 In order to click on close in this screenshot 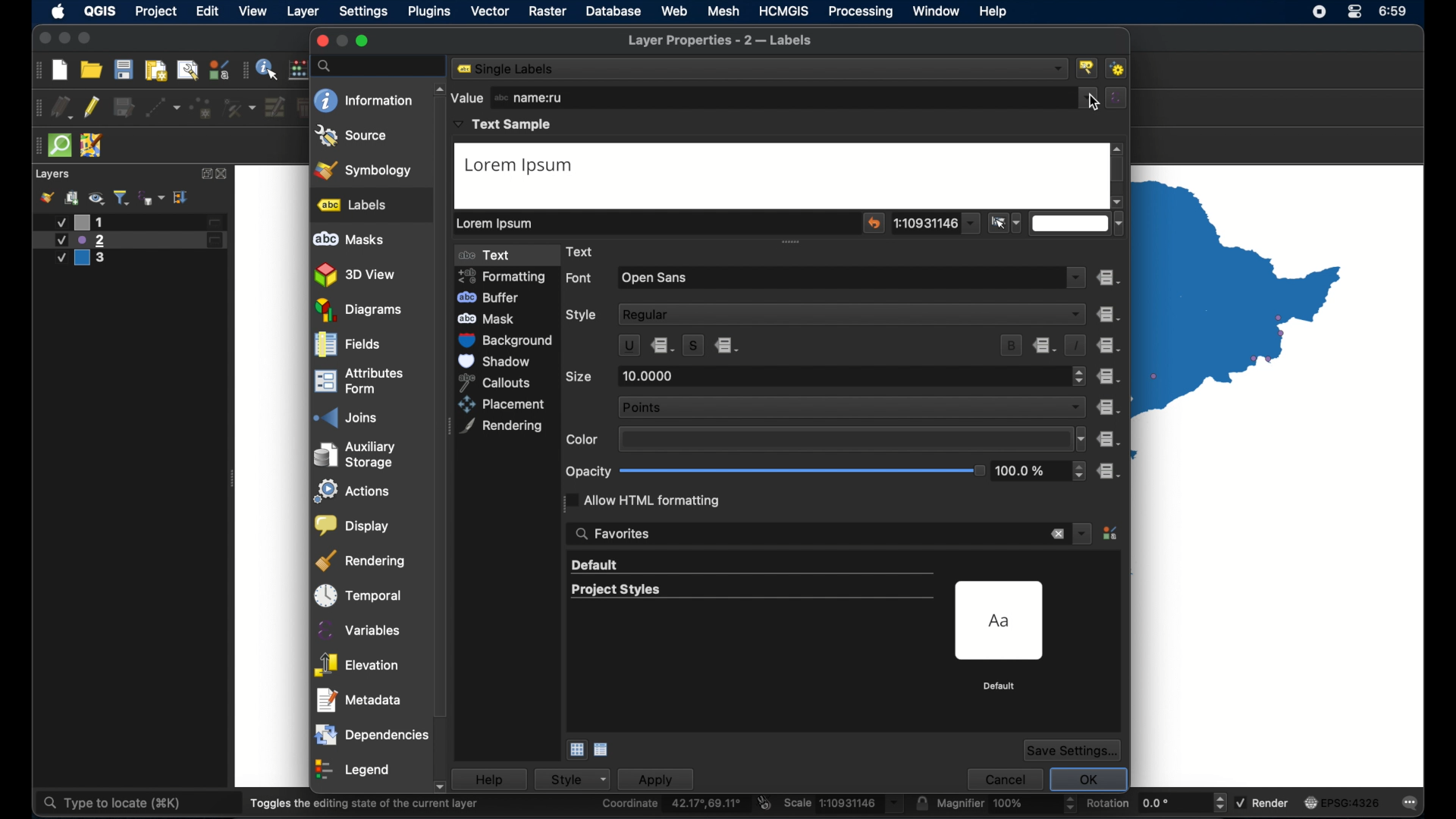, I will do `click(321, 41)`.